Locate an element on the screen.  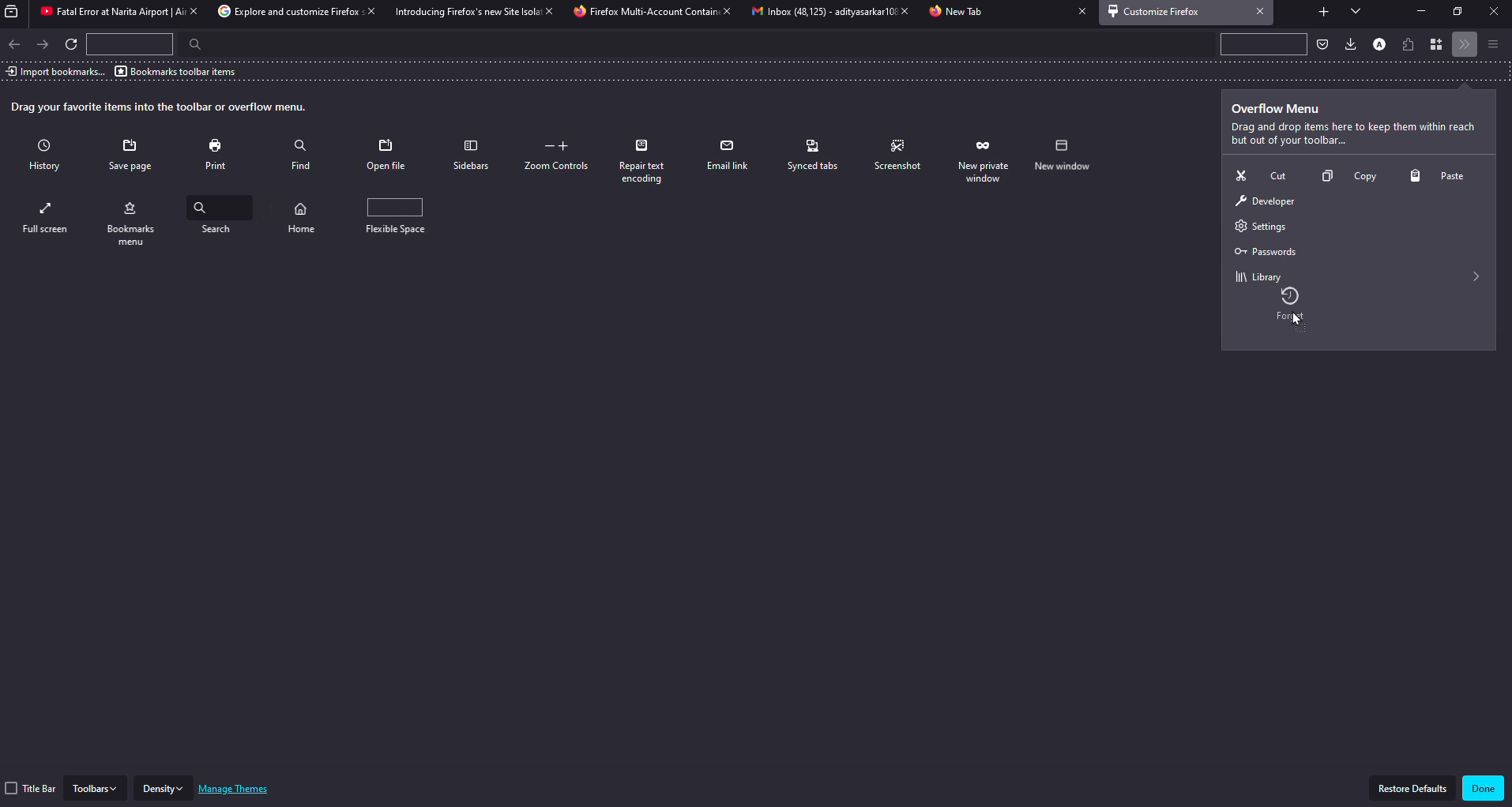
drag is located at coordinates (161, 107).